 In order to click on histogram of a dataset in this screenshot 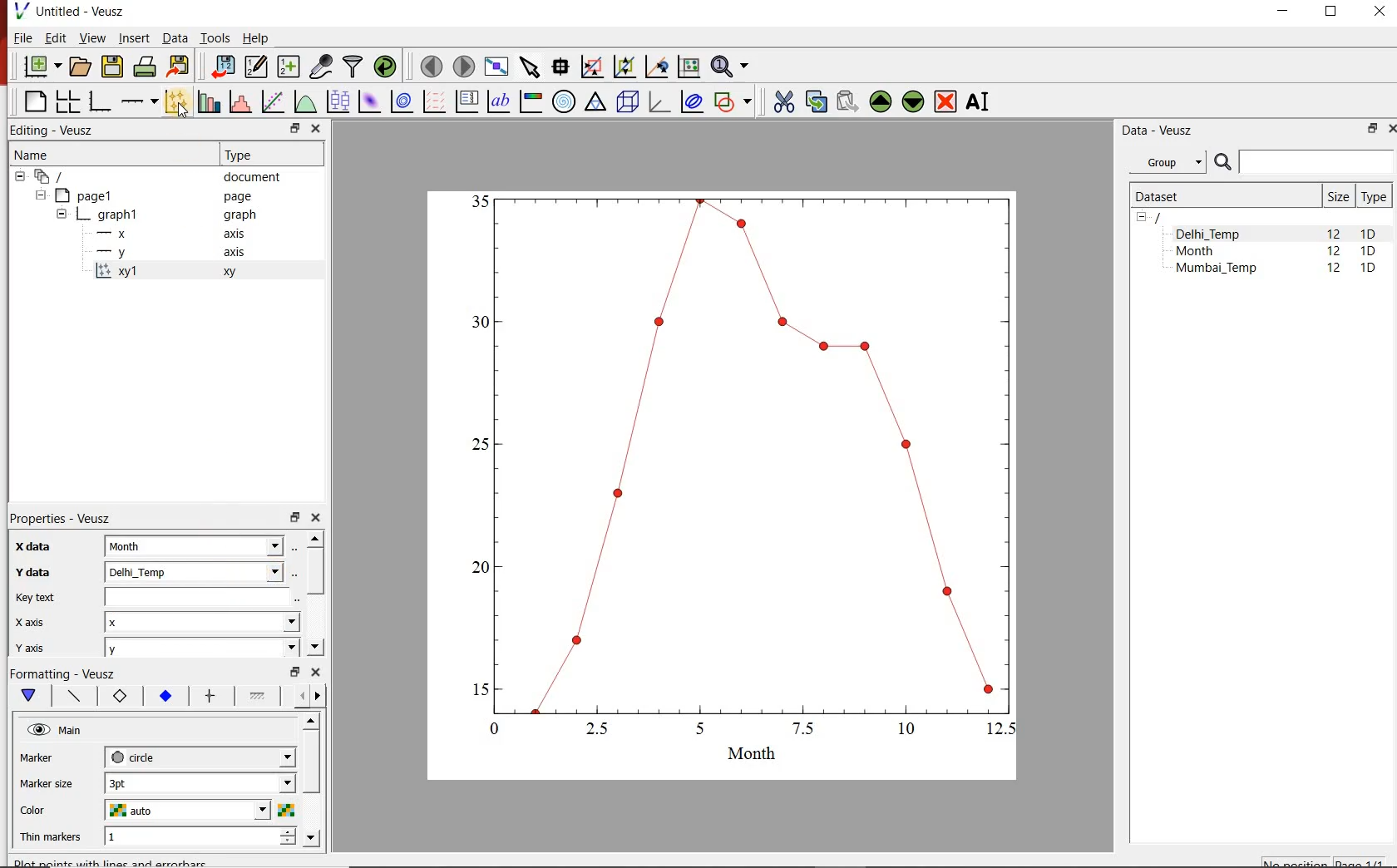, I will do `click(239, 101)`.